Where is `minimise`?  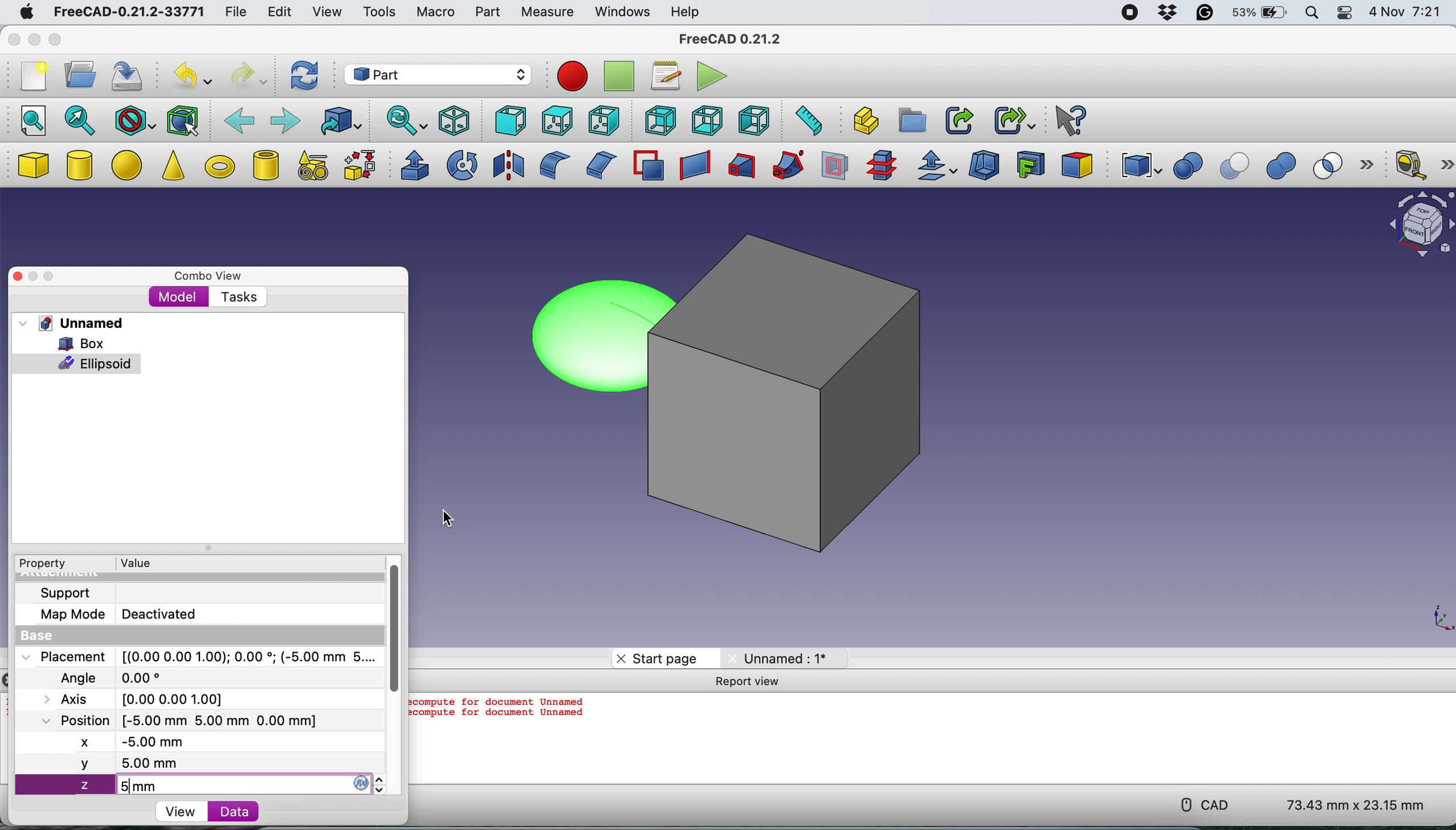 minimise is located at coordinates (32, 40).